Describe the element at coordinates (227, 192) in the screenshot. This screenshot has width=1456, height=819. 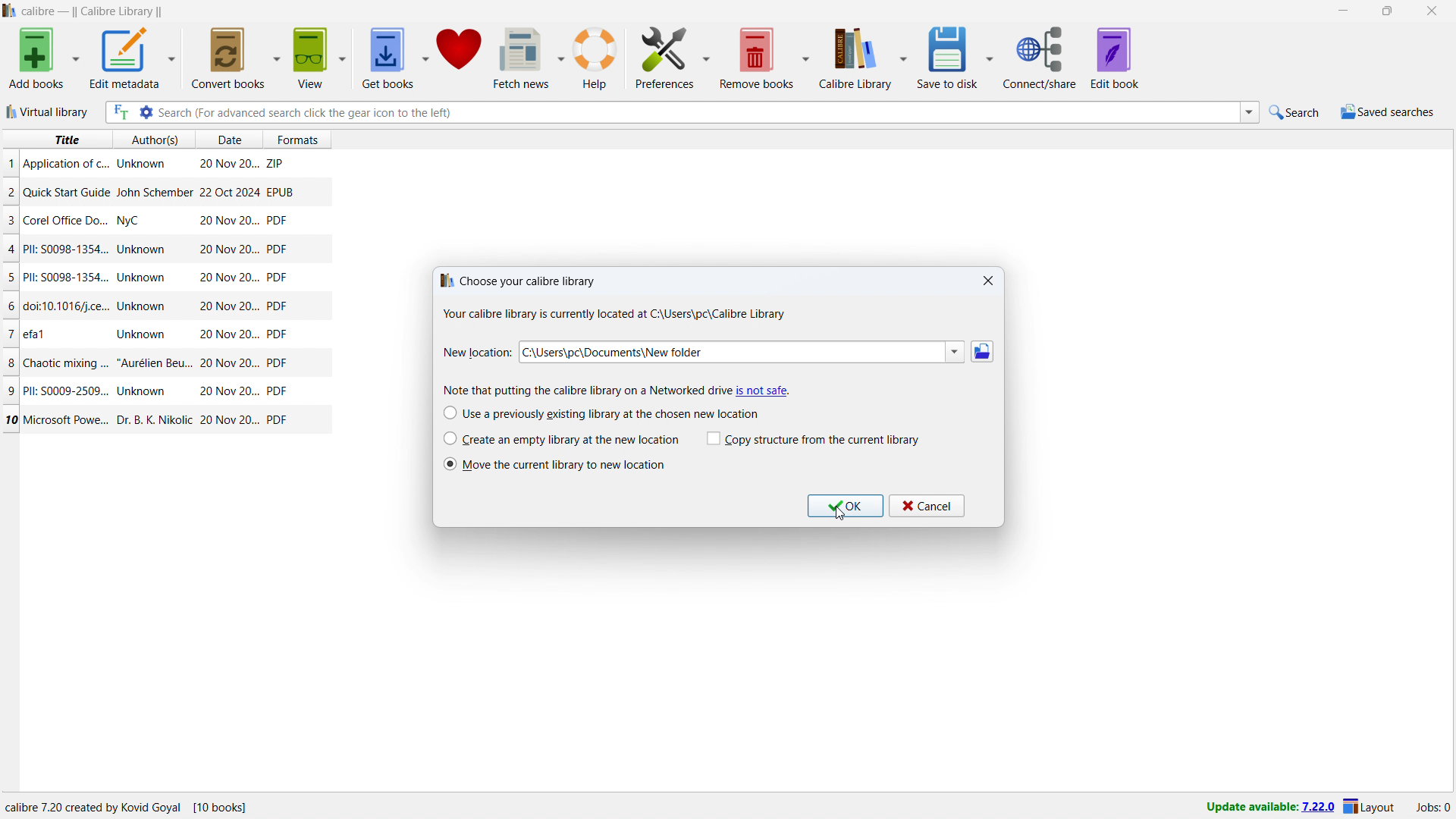
I see `Date` at that location.